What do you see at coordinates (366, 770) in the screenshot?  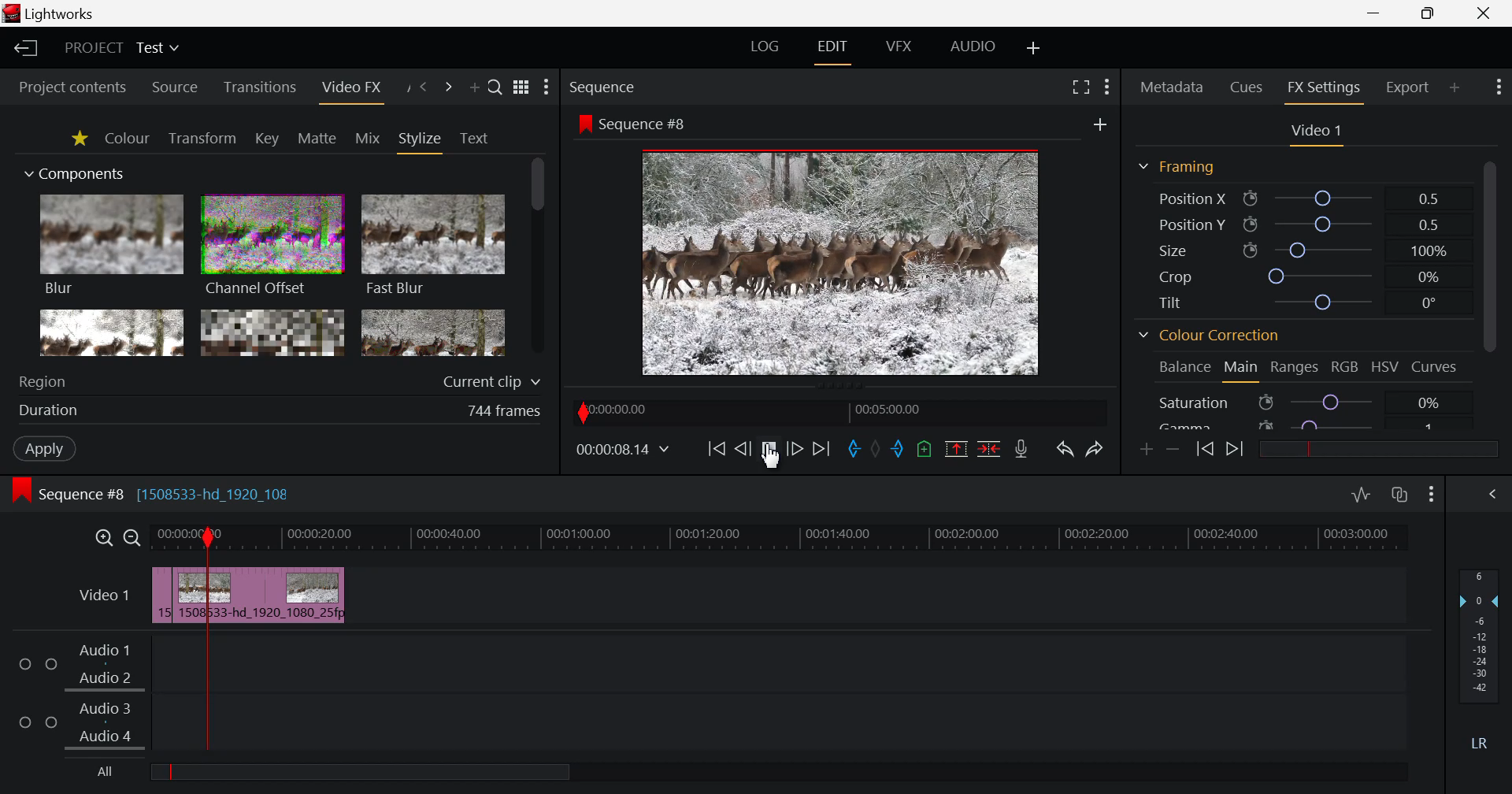 I see `All` at bounding box center [366, 770].